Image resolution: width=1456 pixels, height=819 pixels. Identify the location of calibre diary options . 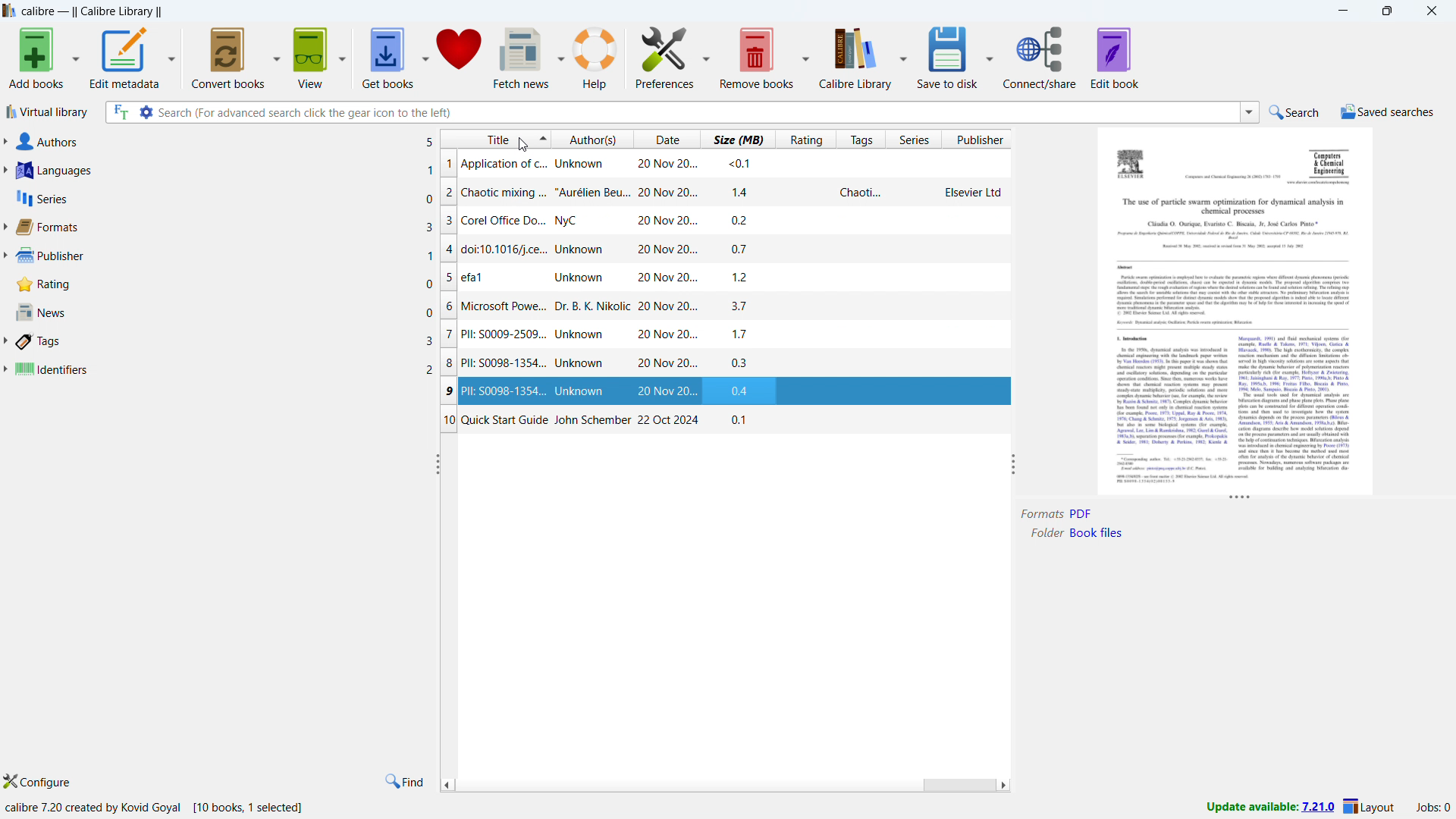
(901, 55).